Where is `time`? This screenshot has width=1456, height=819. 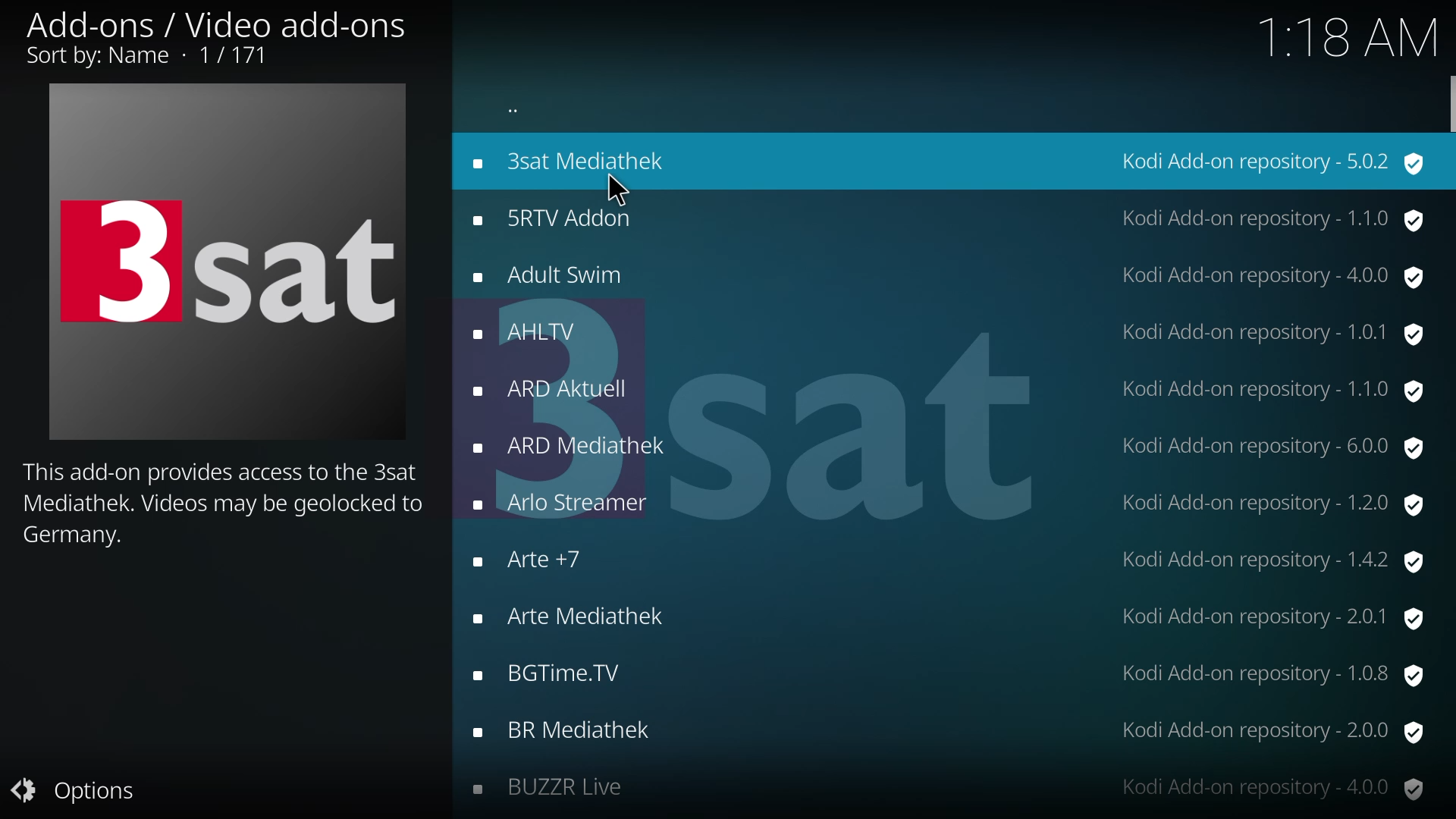
time is located at coordinates (1344, 37).